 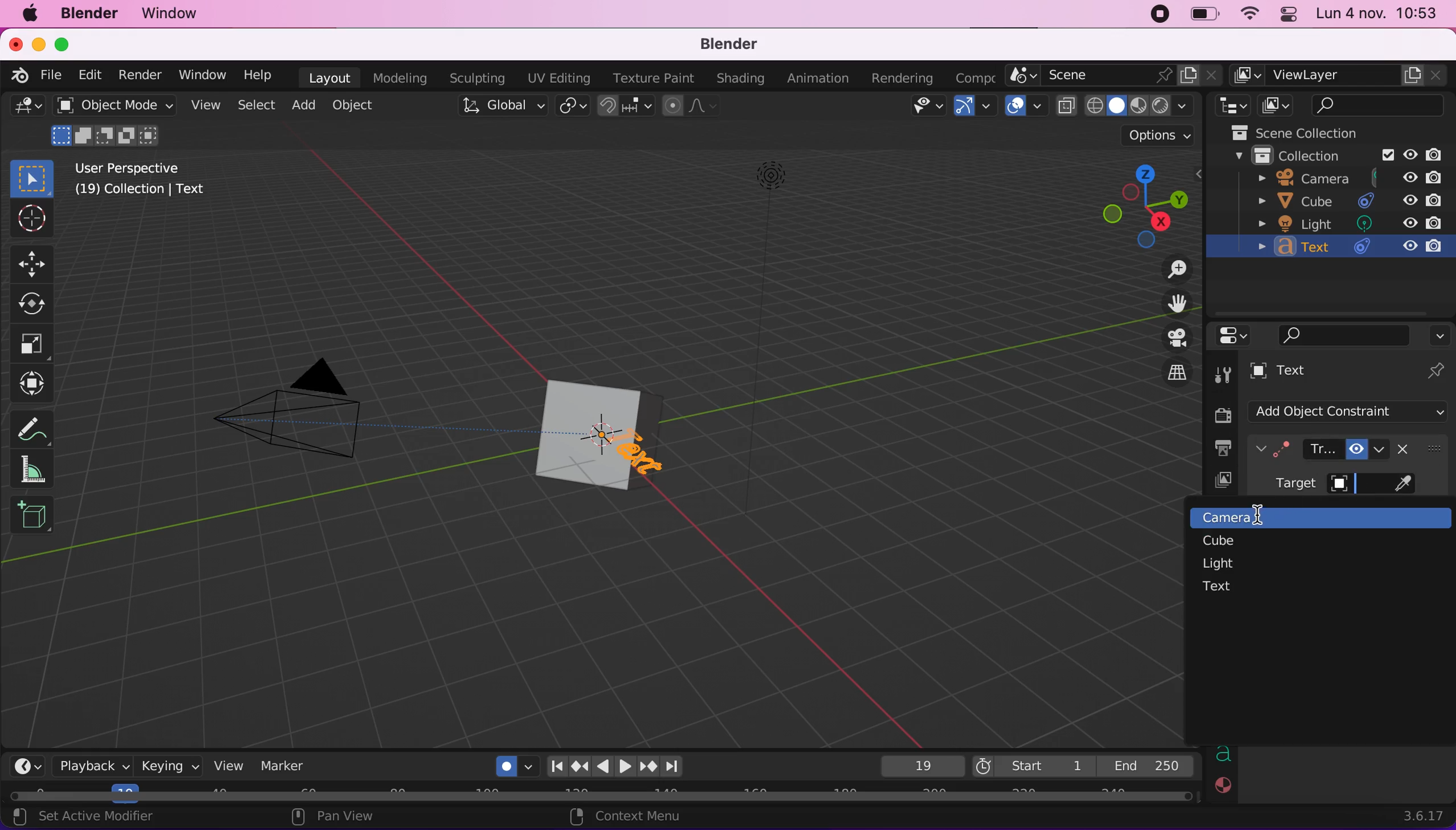 I want to click on light, so click(x=1352, y=222).